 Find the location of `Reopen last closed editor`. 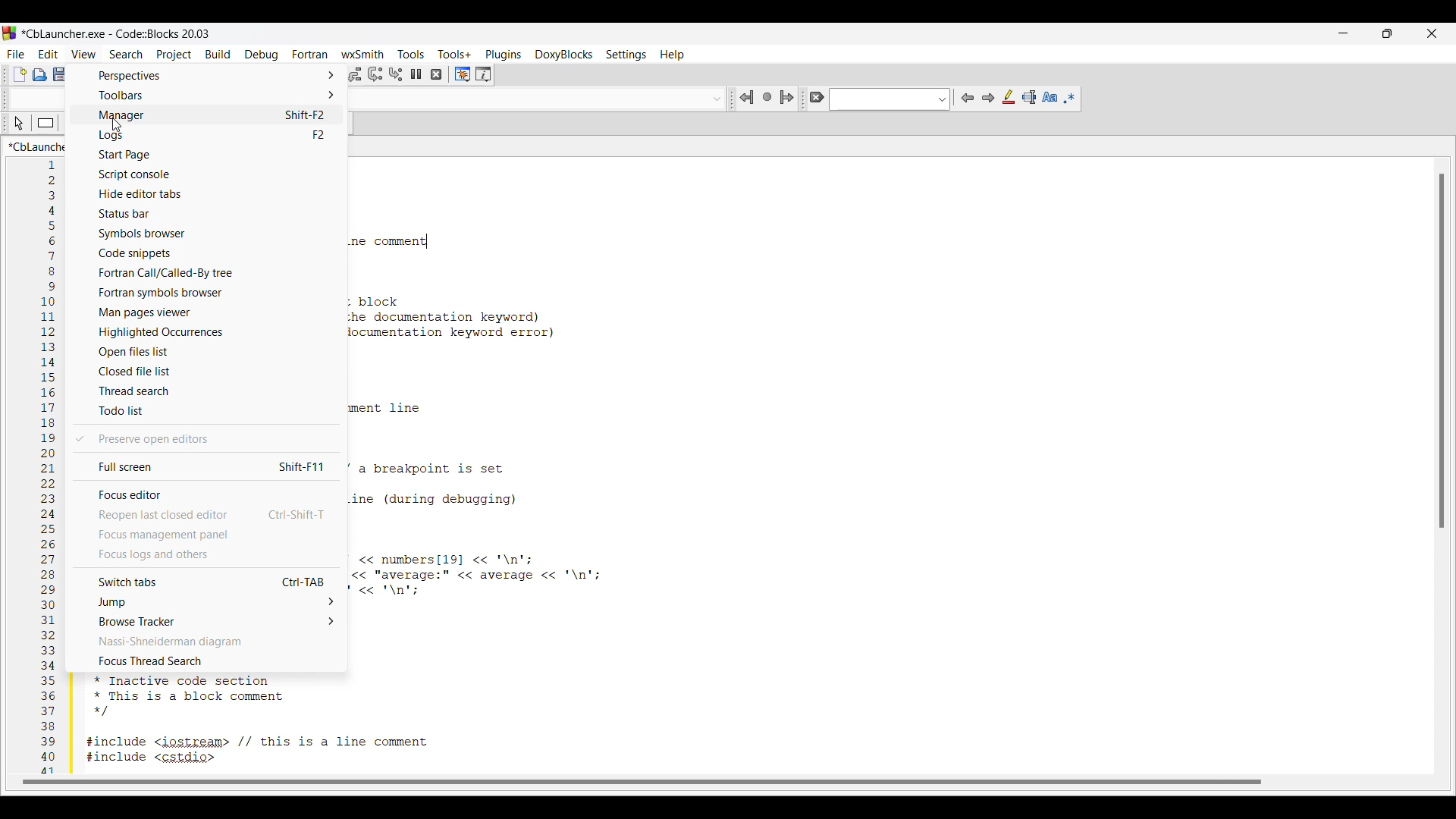

Reopen last closed editor is located at coordinates (206, 514).